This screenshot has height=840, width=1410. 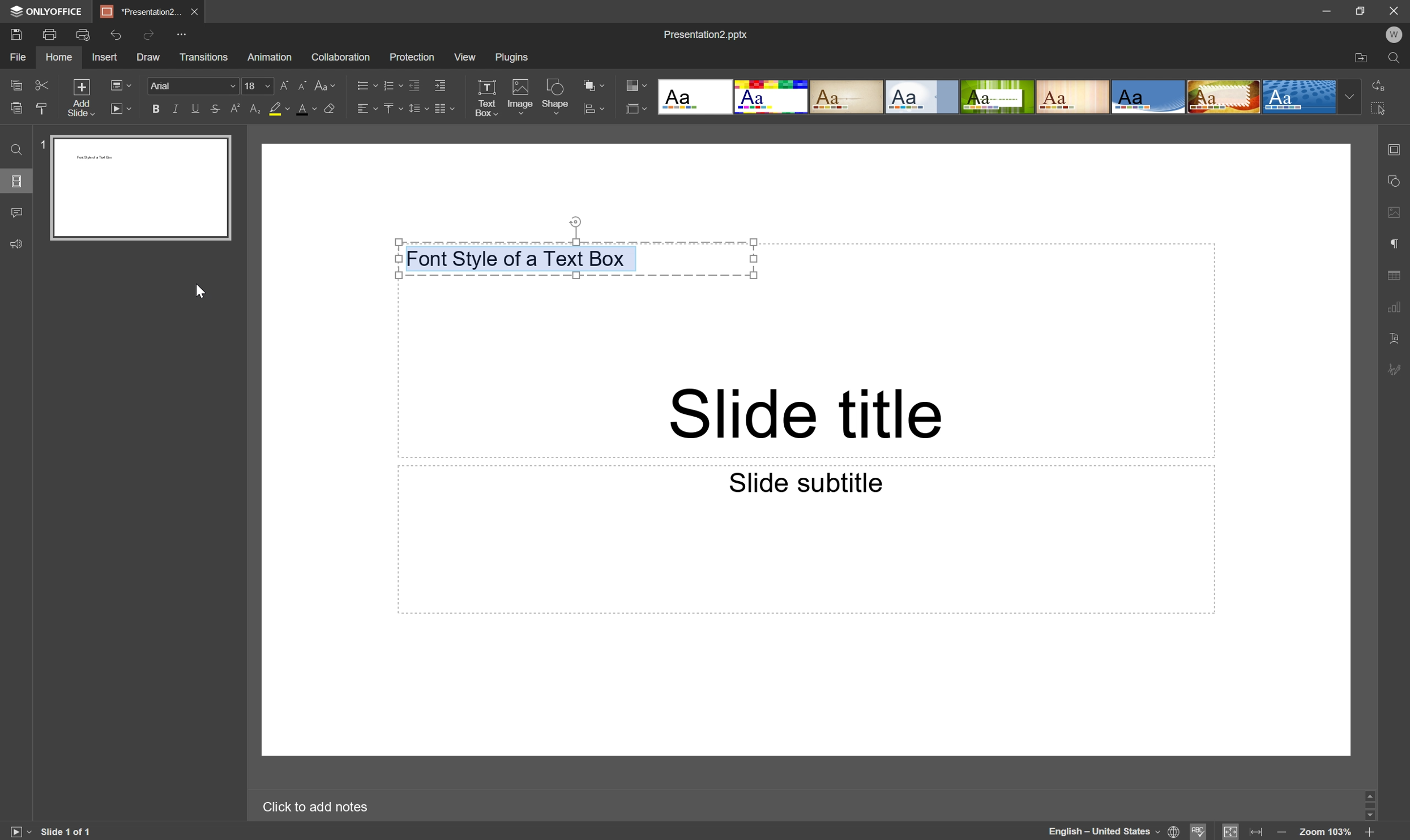 I want to click on Undo, so click(x=119, y=33).